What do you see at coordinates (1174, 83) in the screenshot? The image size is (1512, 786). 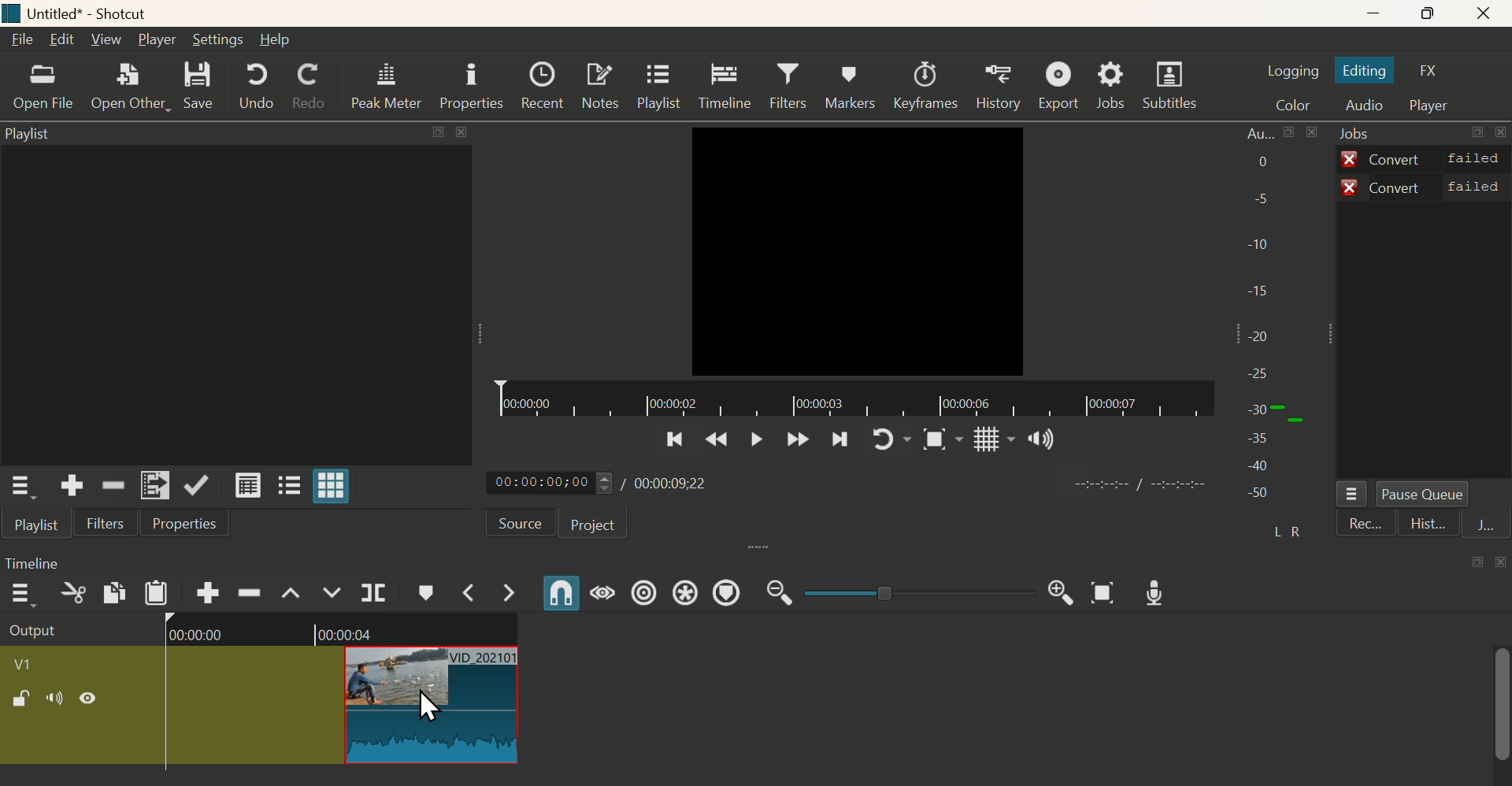 I see `Subtitles` at bounding box center [1174, 83].